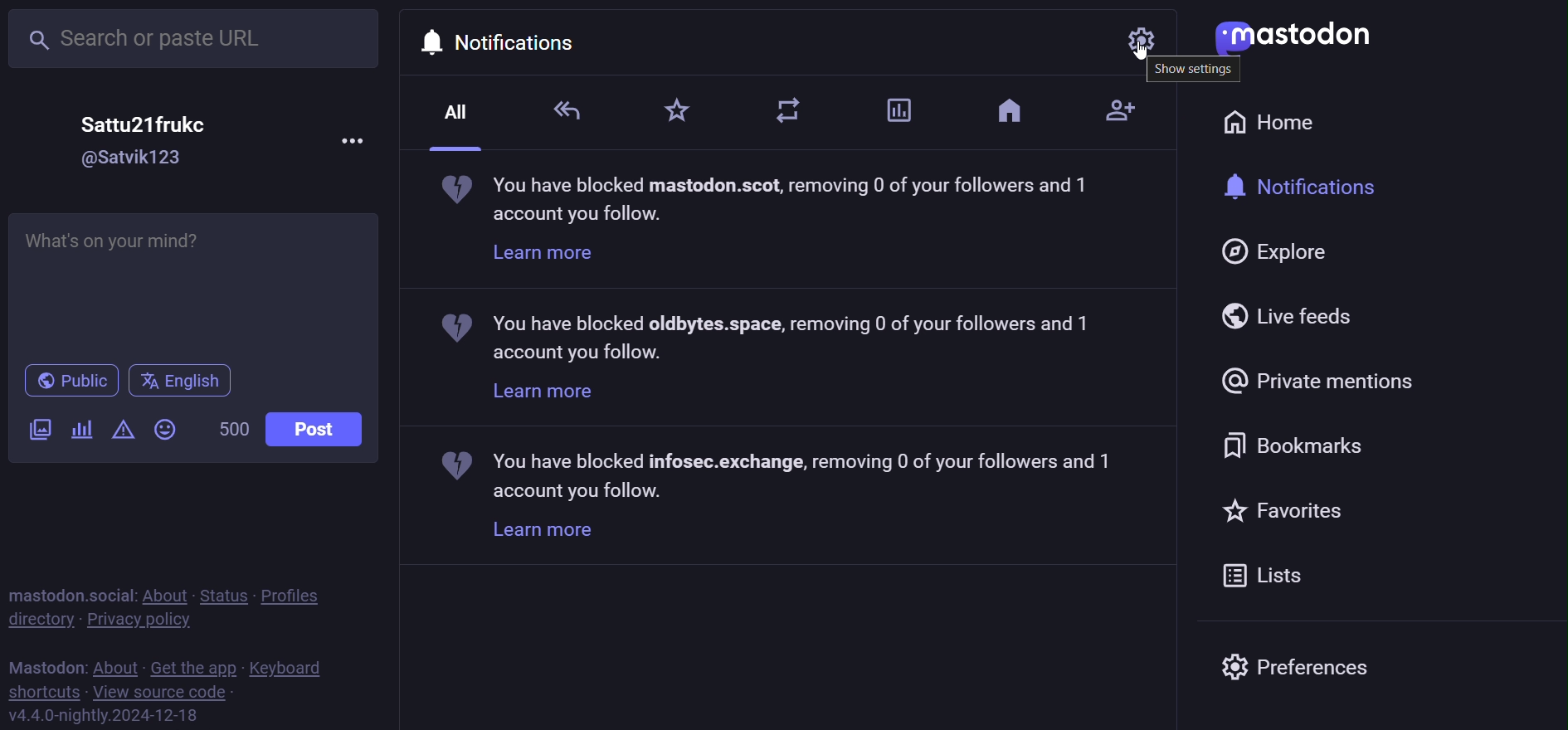 The image size is (1568, 730). Describe the element at coordinates (179, 380) in the screenshot. I see `english` at that location.